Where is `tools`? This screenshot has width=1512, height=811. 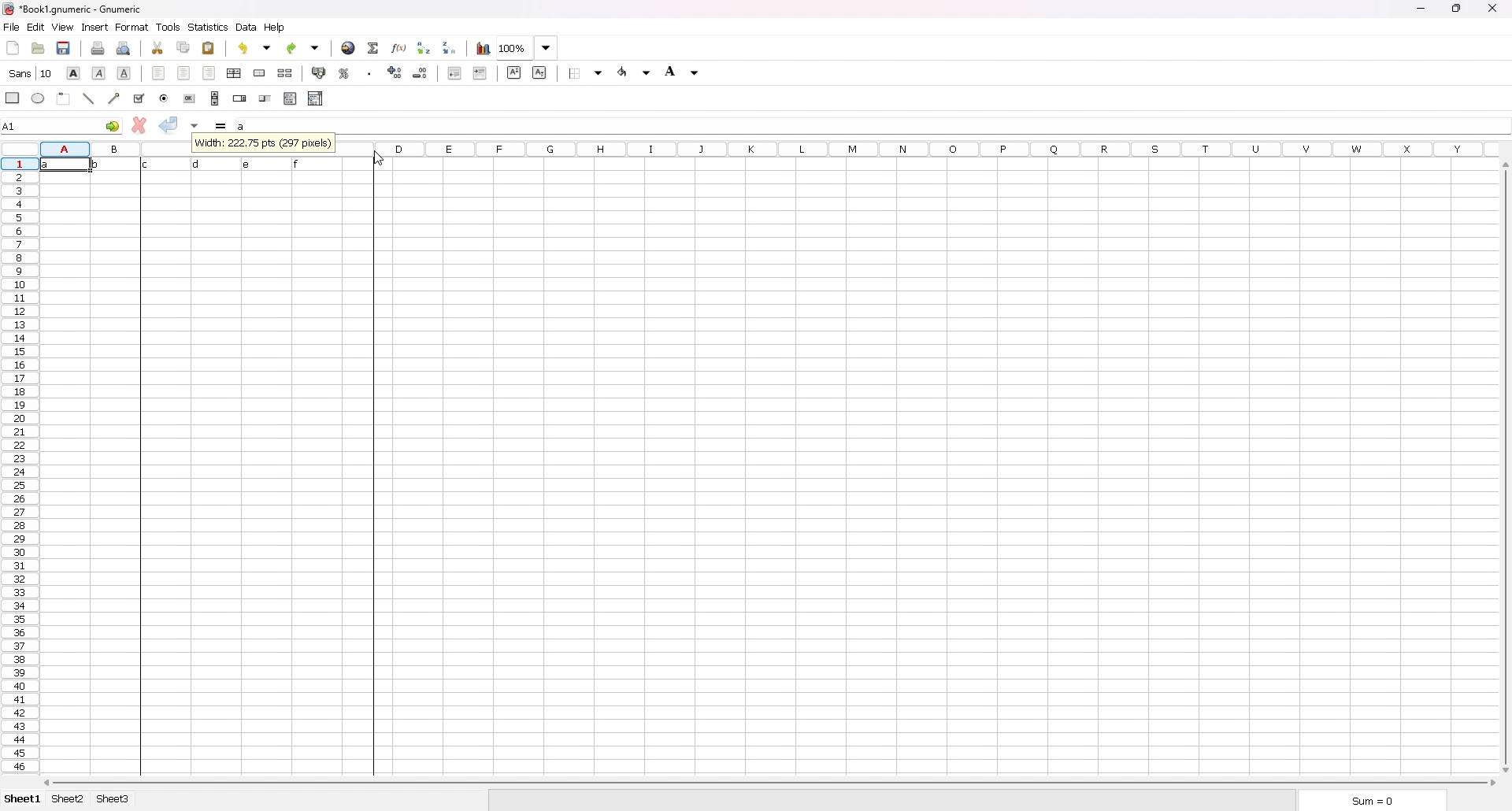 tools is located at coordinates (169, 27).